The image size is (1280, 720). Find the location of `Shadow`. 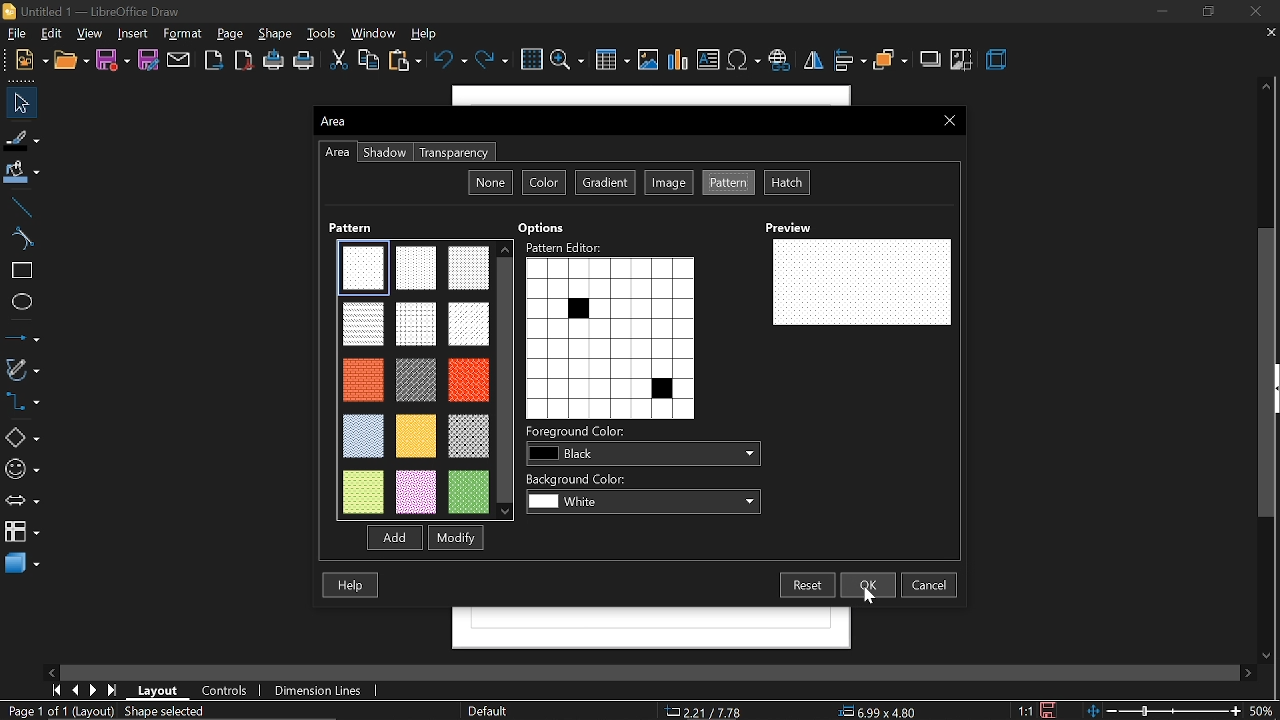

Shadow is located at coordinates (386, 152).